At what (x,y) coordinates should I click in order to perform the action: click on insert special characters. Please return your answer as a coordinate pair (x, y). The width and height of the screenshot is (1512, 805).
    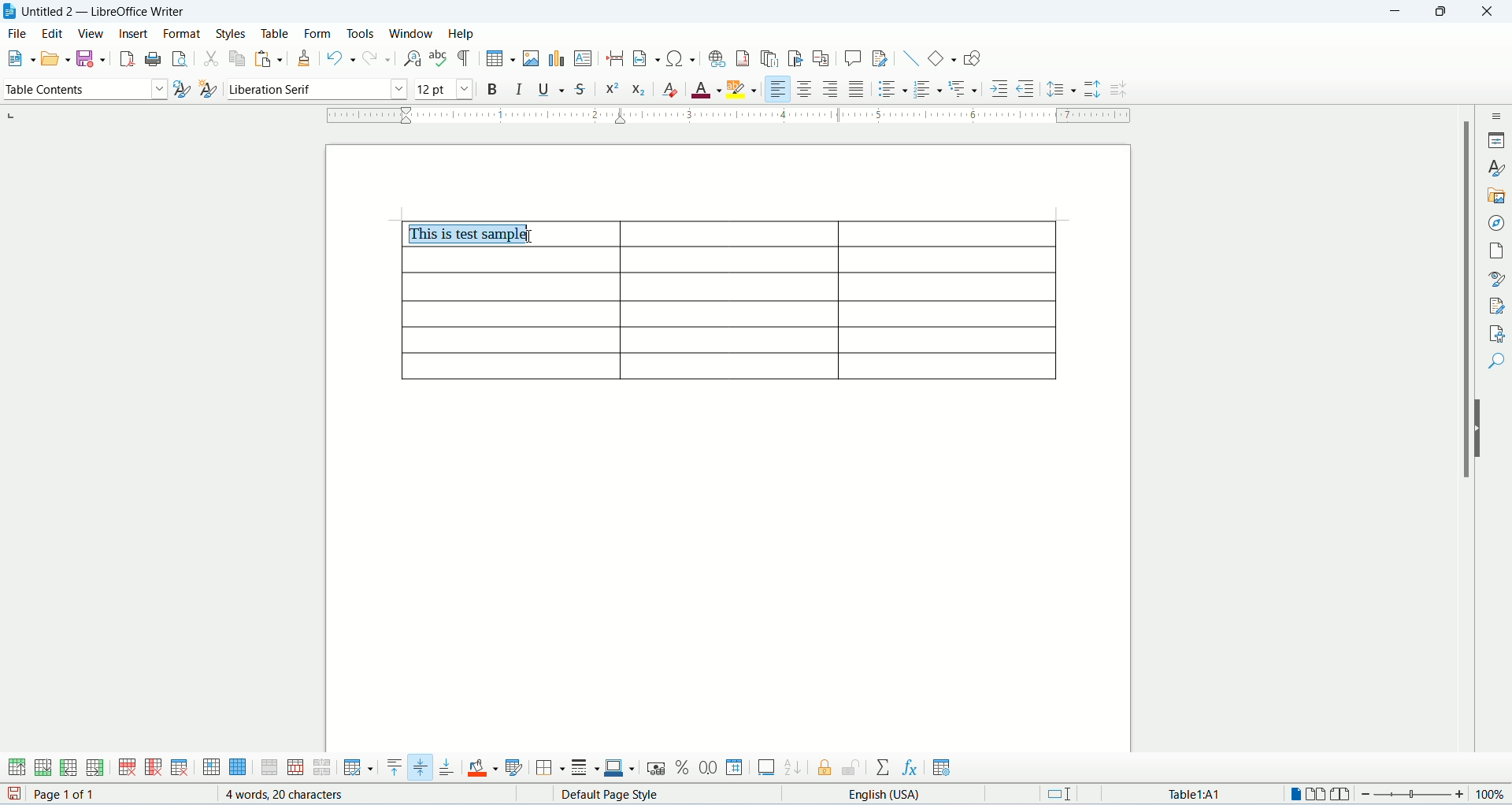
    Looking at the image, I should click on (680, 58).